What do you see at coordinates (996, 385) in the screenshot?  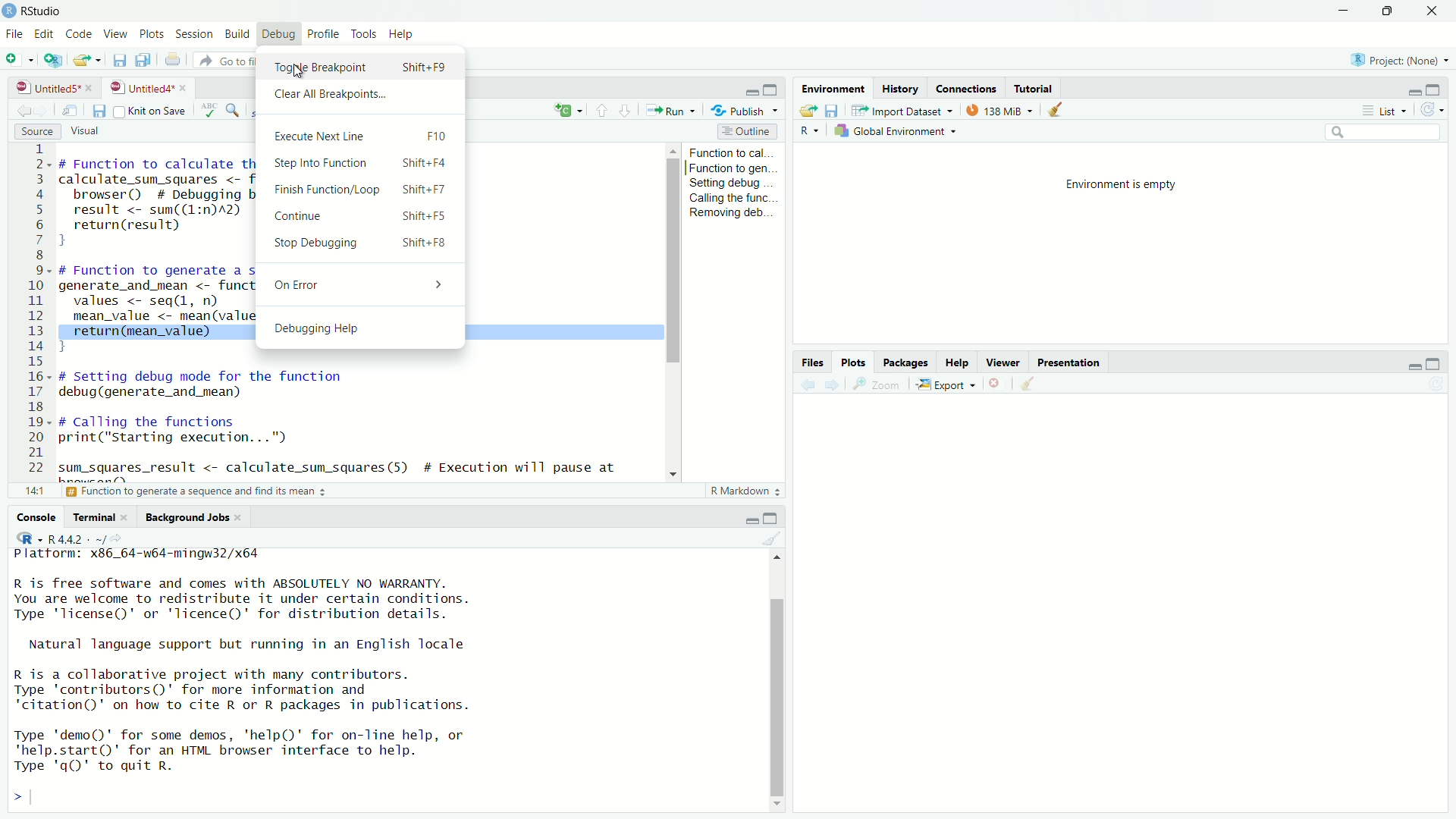 I see `remove the current plot` at bounding box center [996, 385].